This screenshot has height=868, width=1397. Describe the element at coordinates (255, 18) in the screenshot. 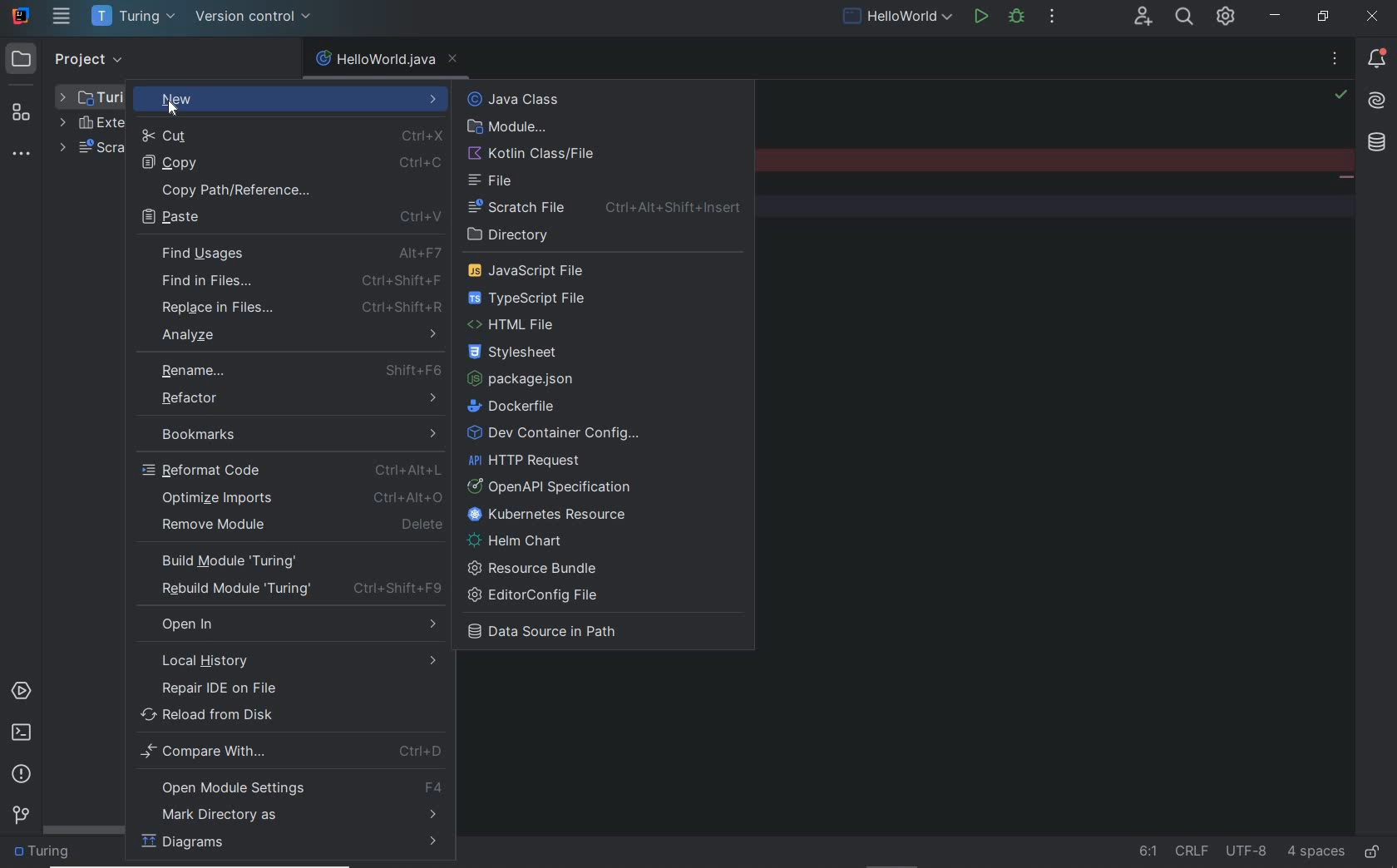

I see `version control` at that location.